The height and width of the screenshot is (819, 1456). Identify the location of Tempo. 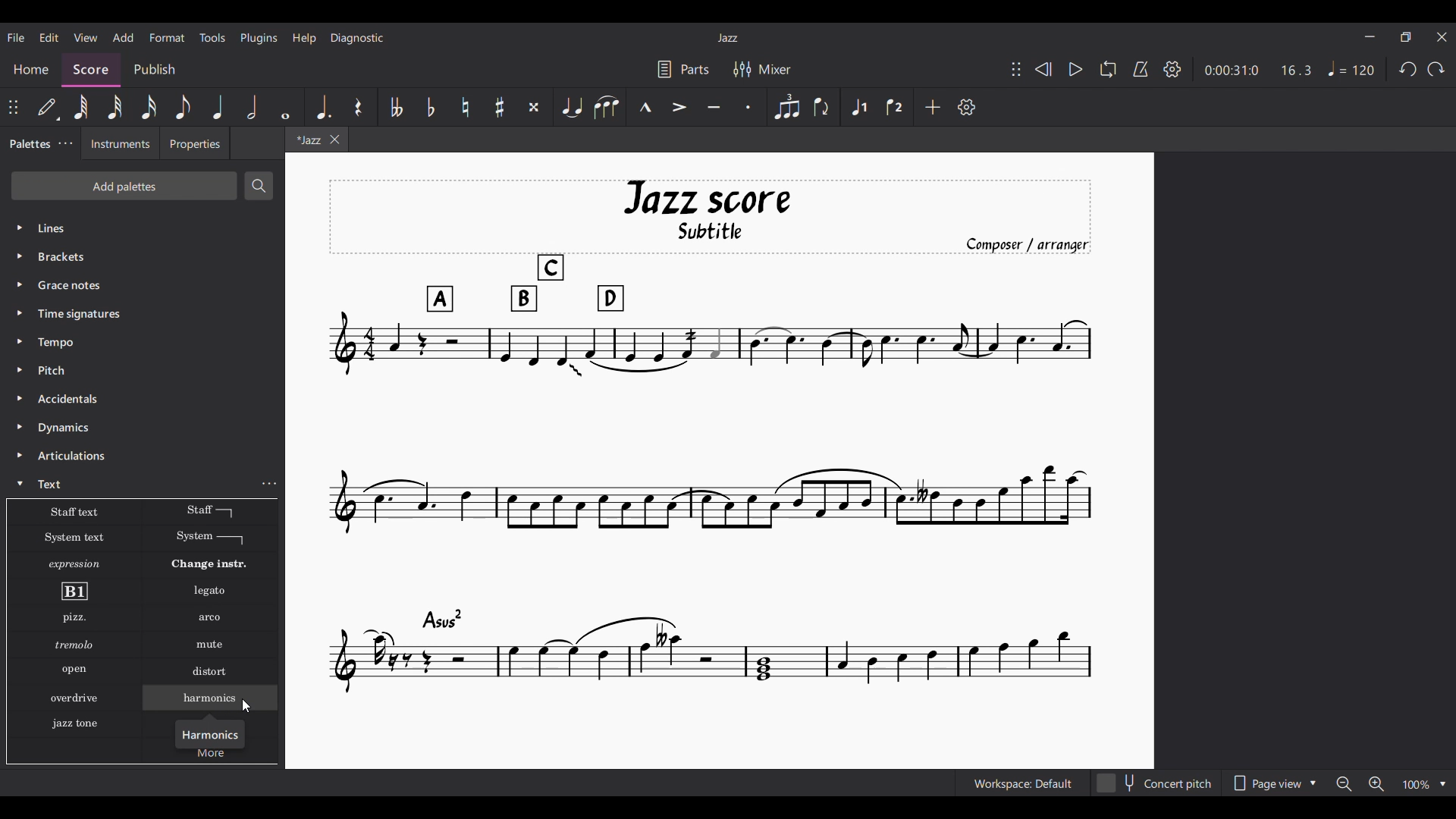
(1351, 68).